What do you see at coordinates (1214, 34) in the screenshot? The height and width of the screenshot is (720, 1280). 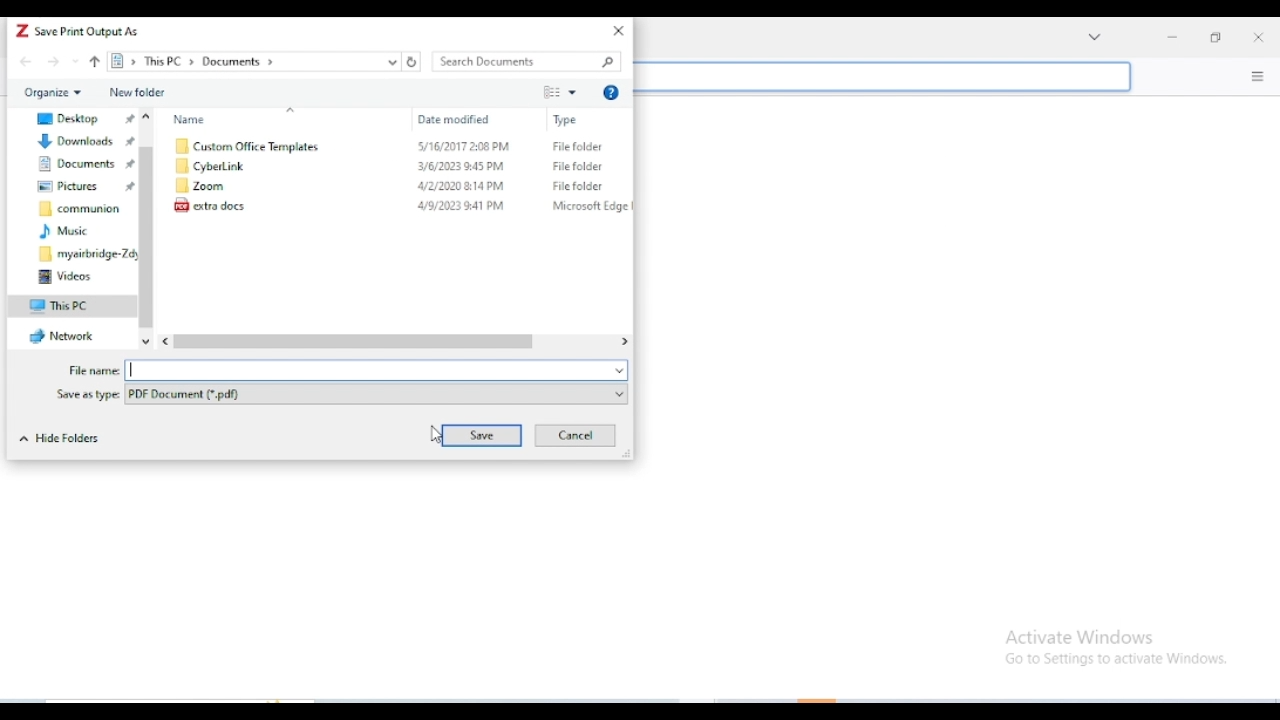 I see `maximize` at bounding box center [1214, 34].